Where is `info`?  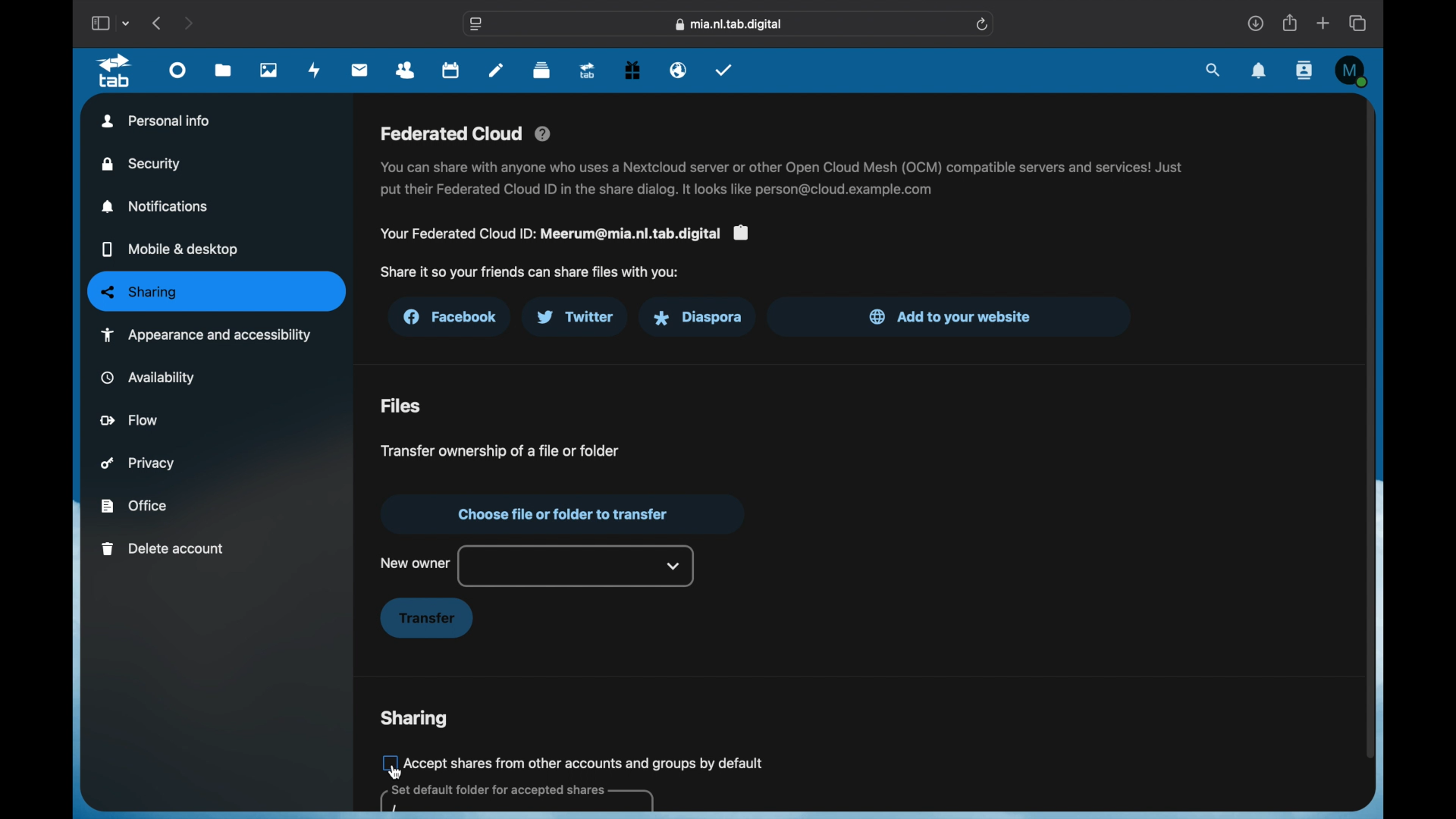
info is located at coordinates (529, 272).